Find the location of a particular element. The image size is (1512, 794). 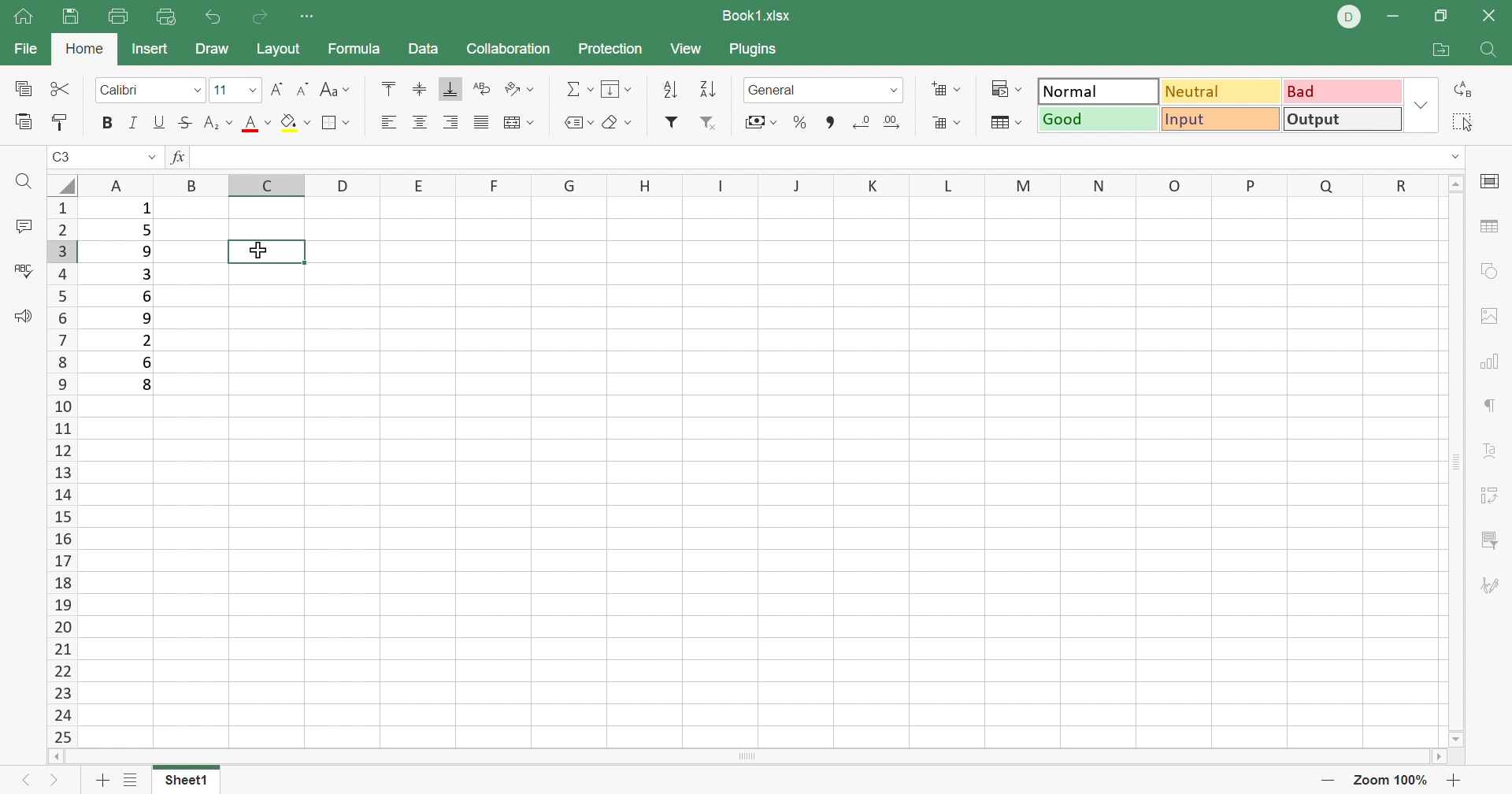

Scroll Up is located at coordinates (1454, 184).